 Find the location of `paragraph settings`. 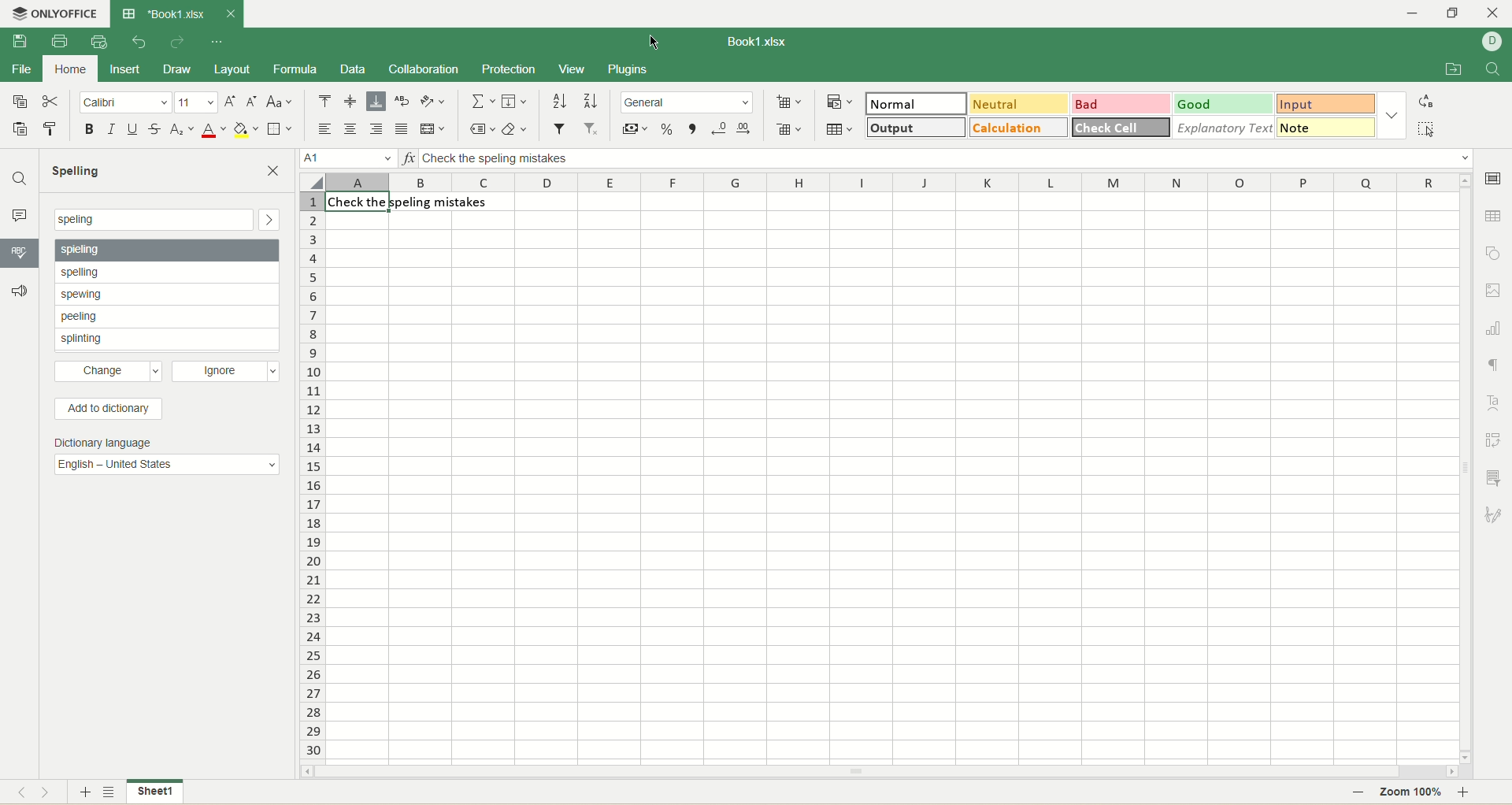

paragraph settings is located at coordinates (1497, 363).